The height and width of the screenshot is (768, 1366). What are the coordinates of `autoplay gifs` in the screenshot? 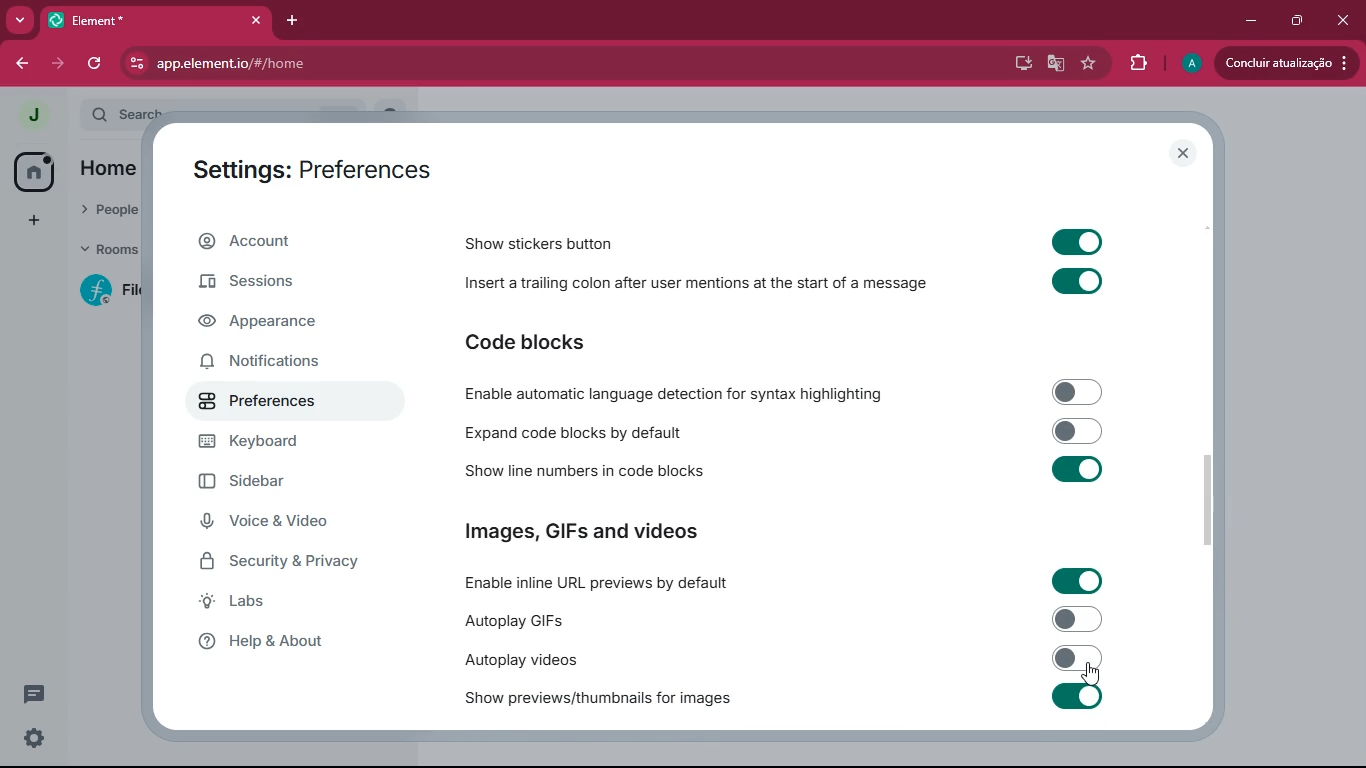 It's located at (511, 620).